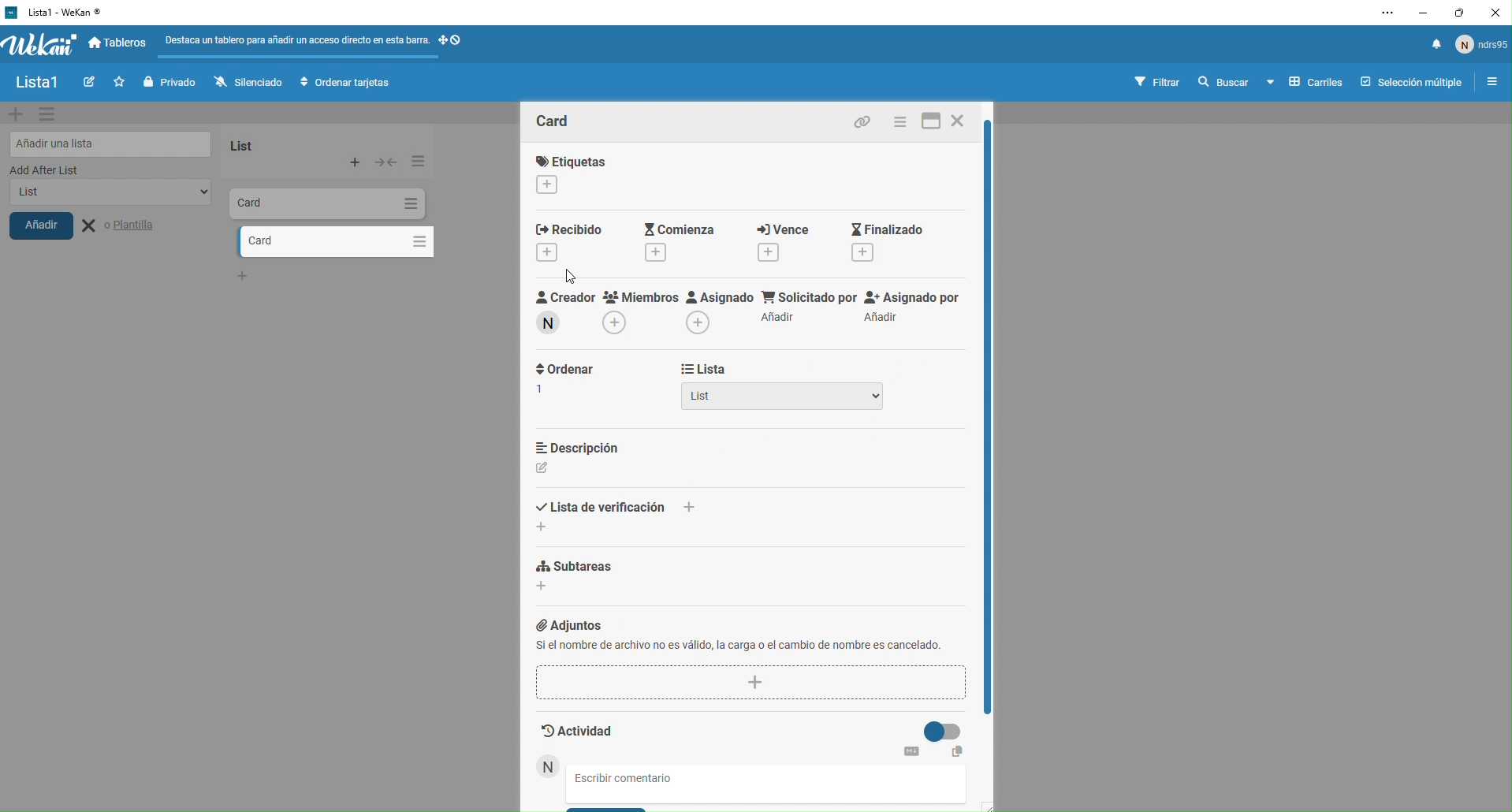  I want to click on Destaca un tablero para afadir un acceso directo en esta bar, so click(296, 39).